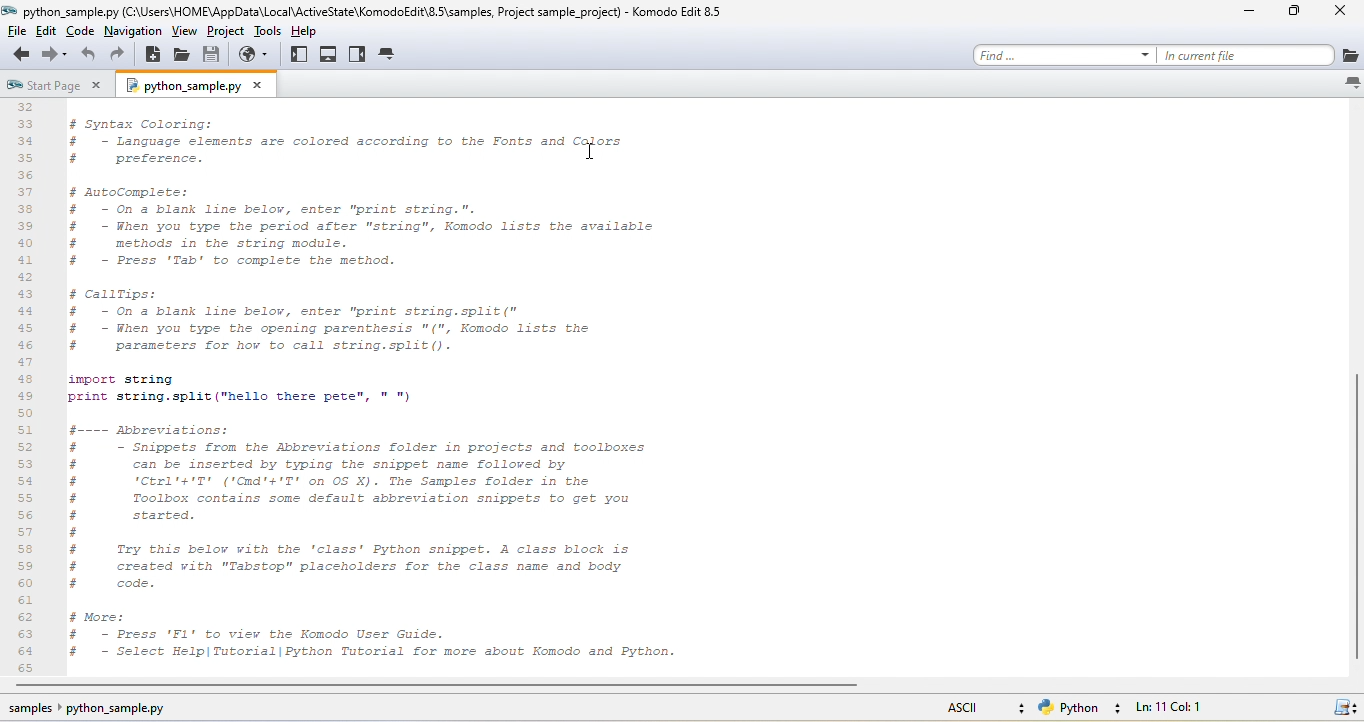 Image resolution: width=1364 pixels, height=722 pixels. Describe the element at coordinates (51, 32) in the screenshot. I see `edit` at that location.